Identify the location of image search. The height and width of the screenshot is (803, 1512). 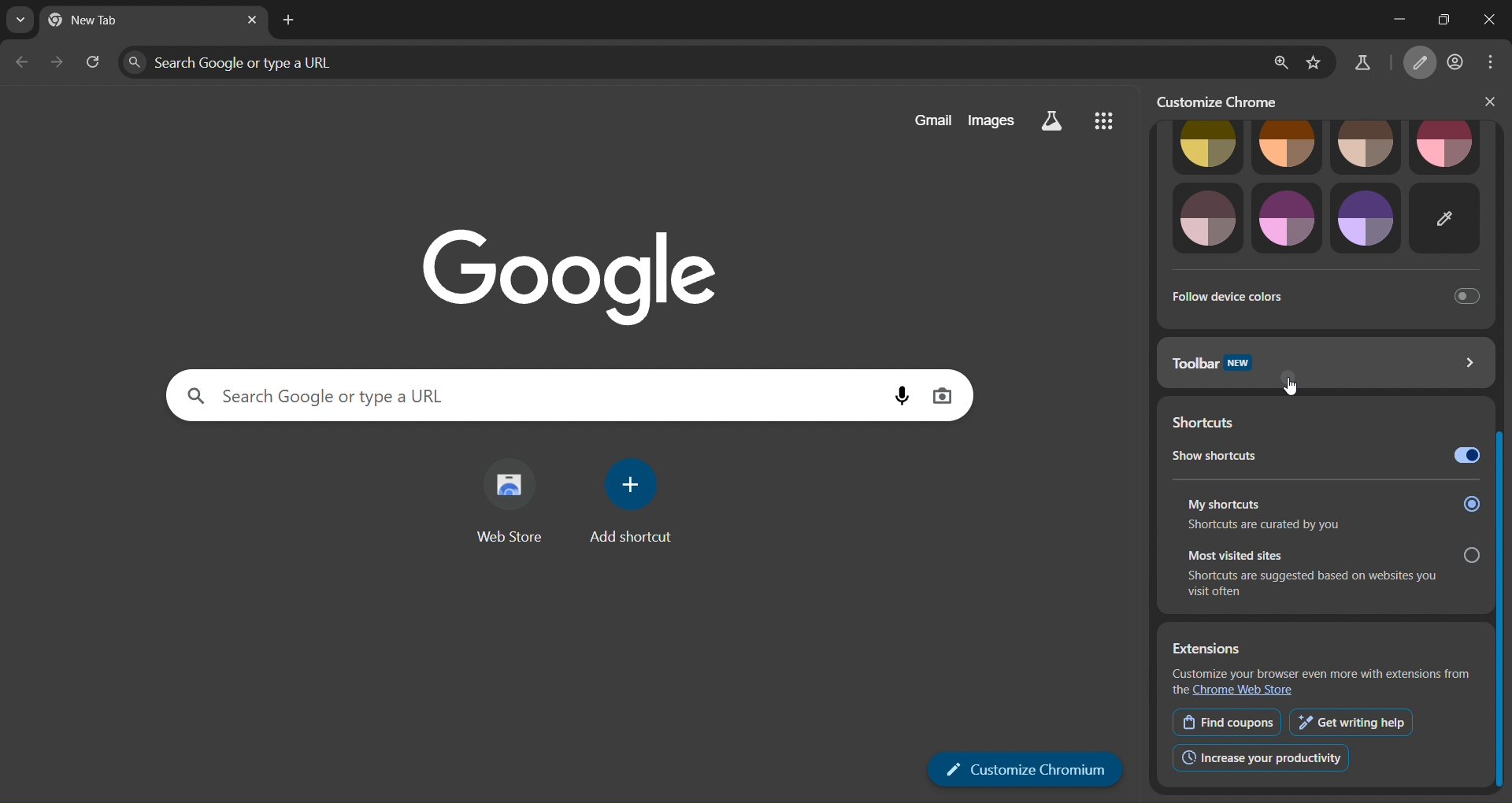
(942, 394).